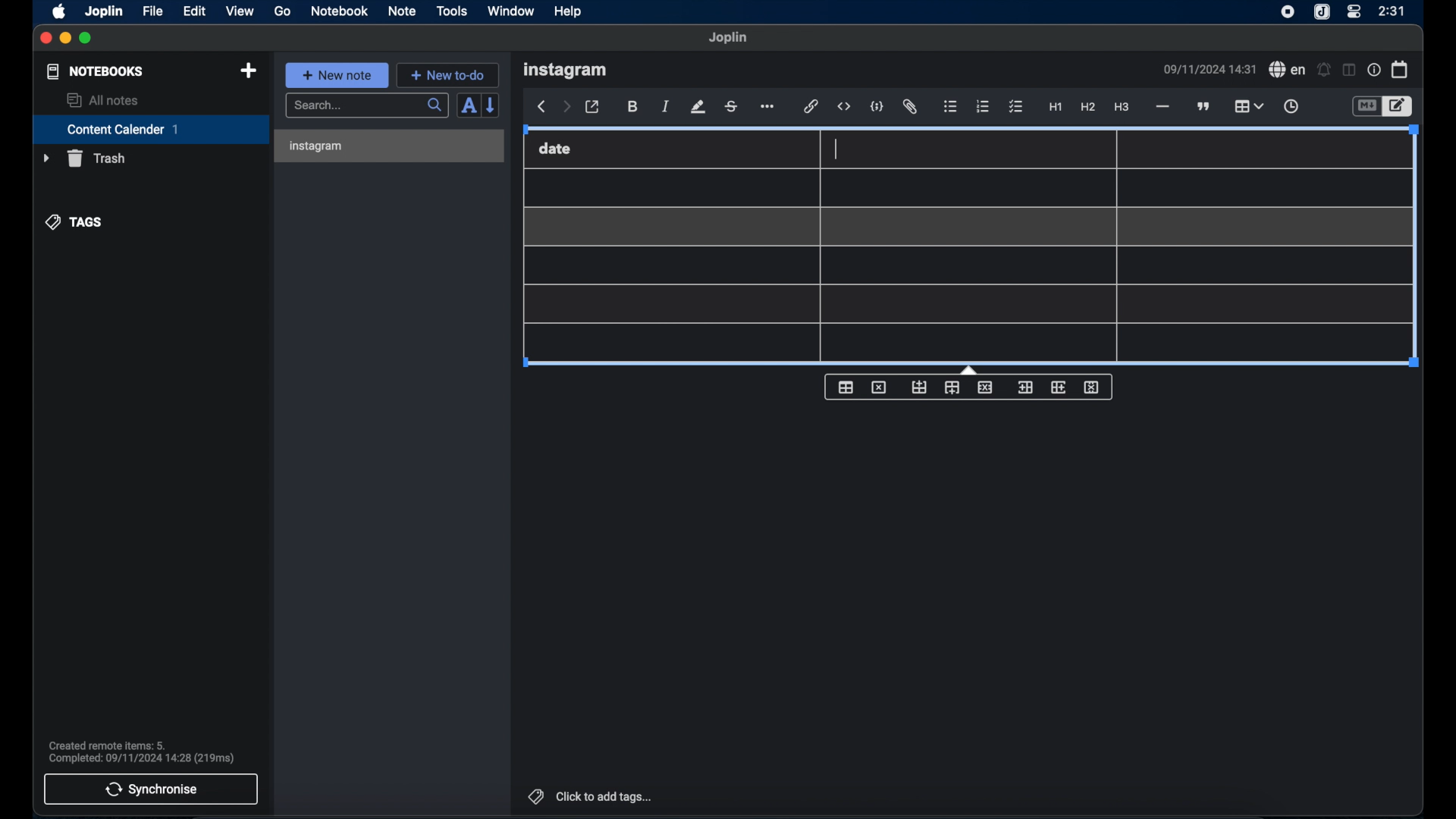  Describe the element at coordinates (844, 107) in the screenshot. I see `inline code` at that location.